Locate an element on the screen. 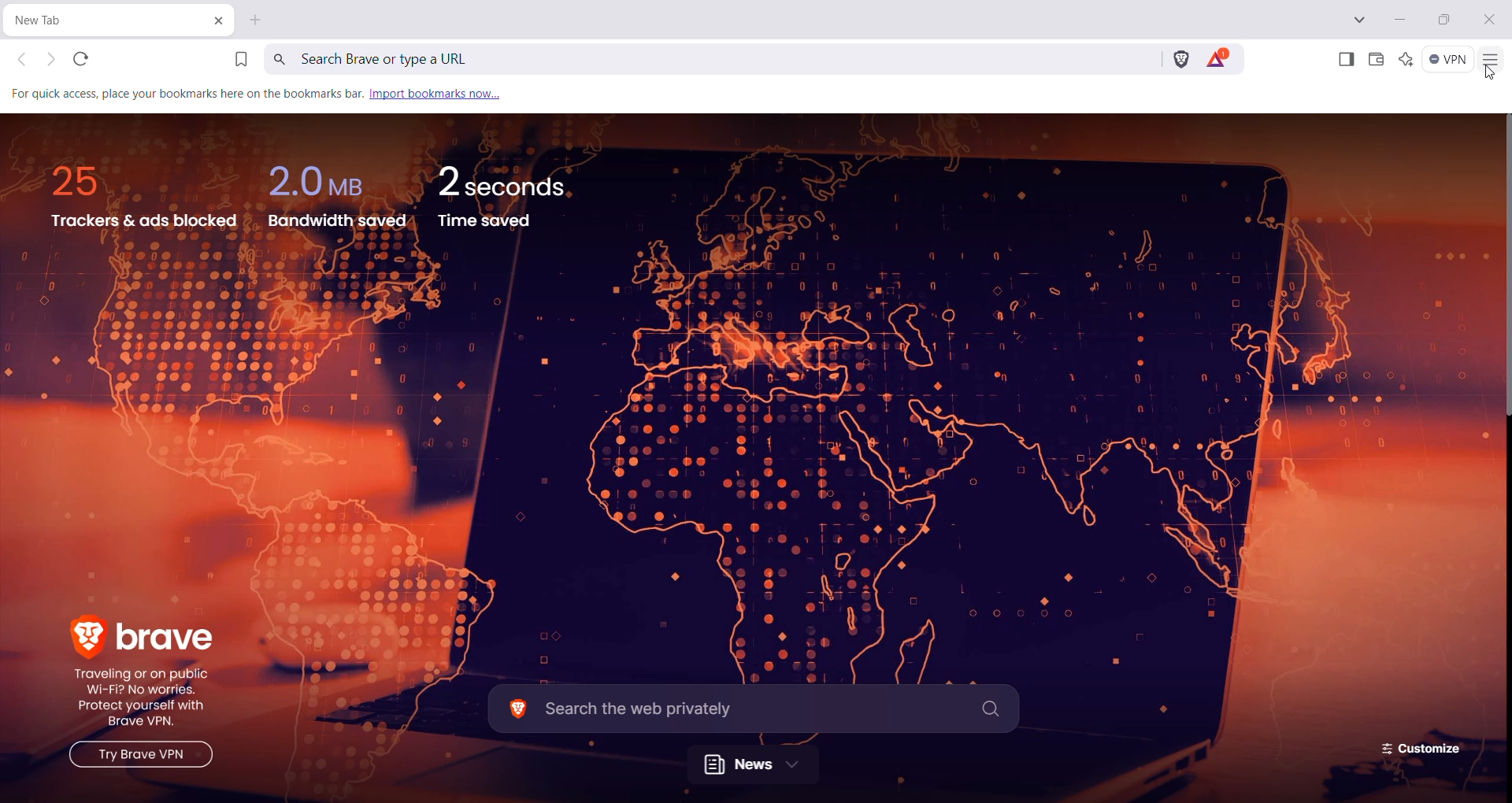 This screenshot has height=803, width=1512. news is located at coordinates (752, 764).